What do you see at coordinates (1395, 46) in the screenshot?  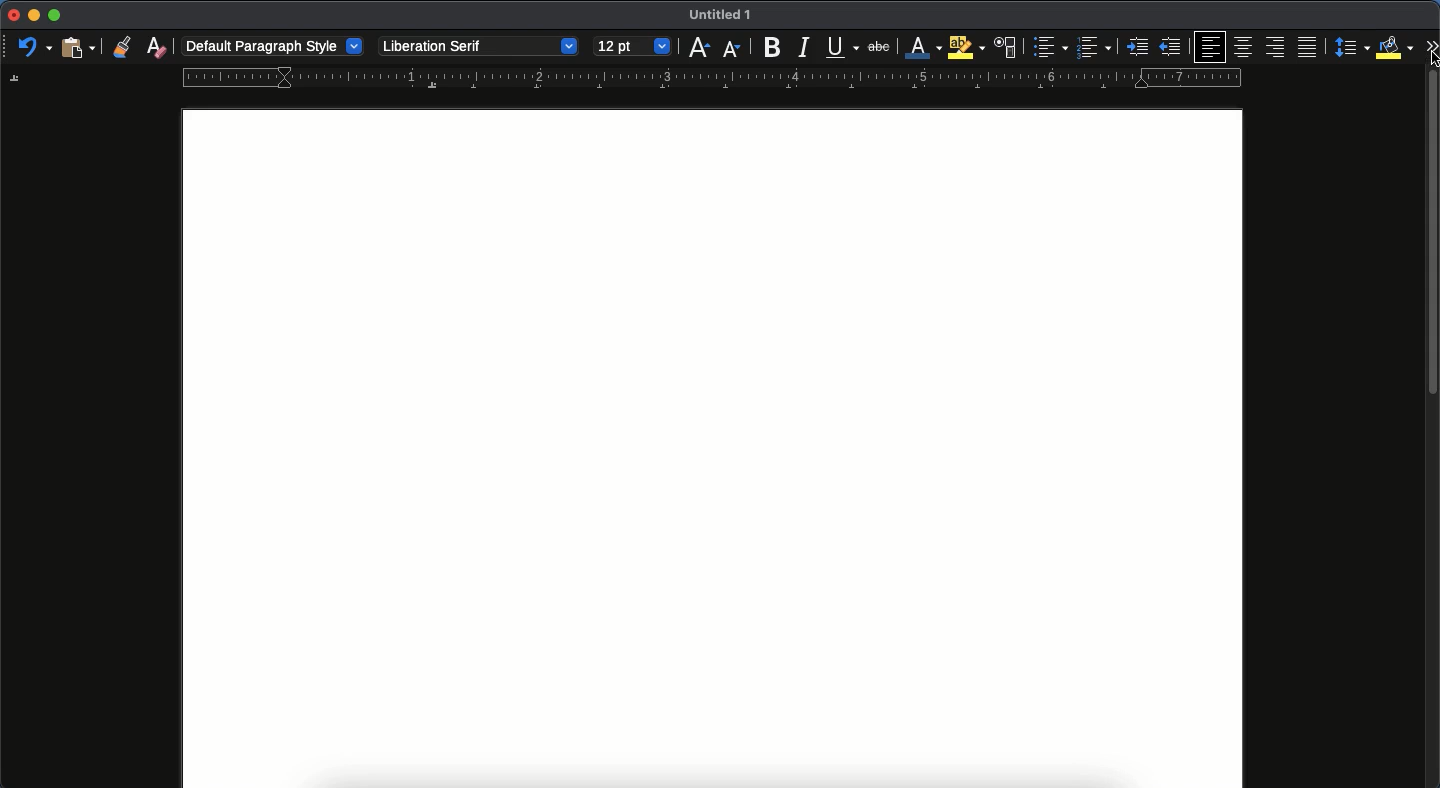 I see `fill color ` at bounding box center [1395, 46].